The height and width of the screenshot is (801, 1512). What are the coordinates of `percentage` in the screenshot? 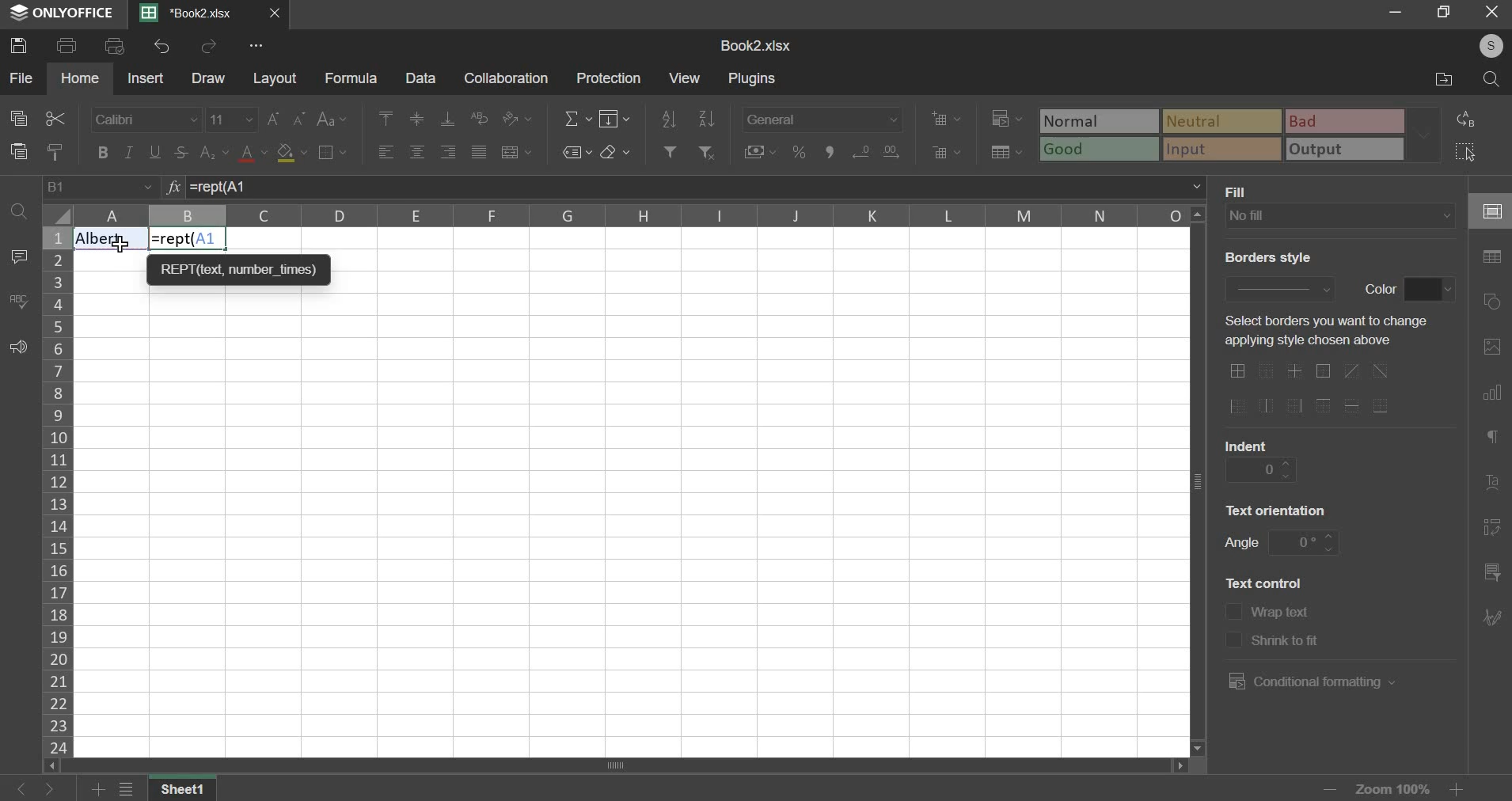 It's located at (799, 151).